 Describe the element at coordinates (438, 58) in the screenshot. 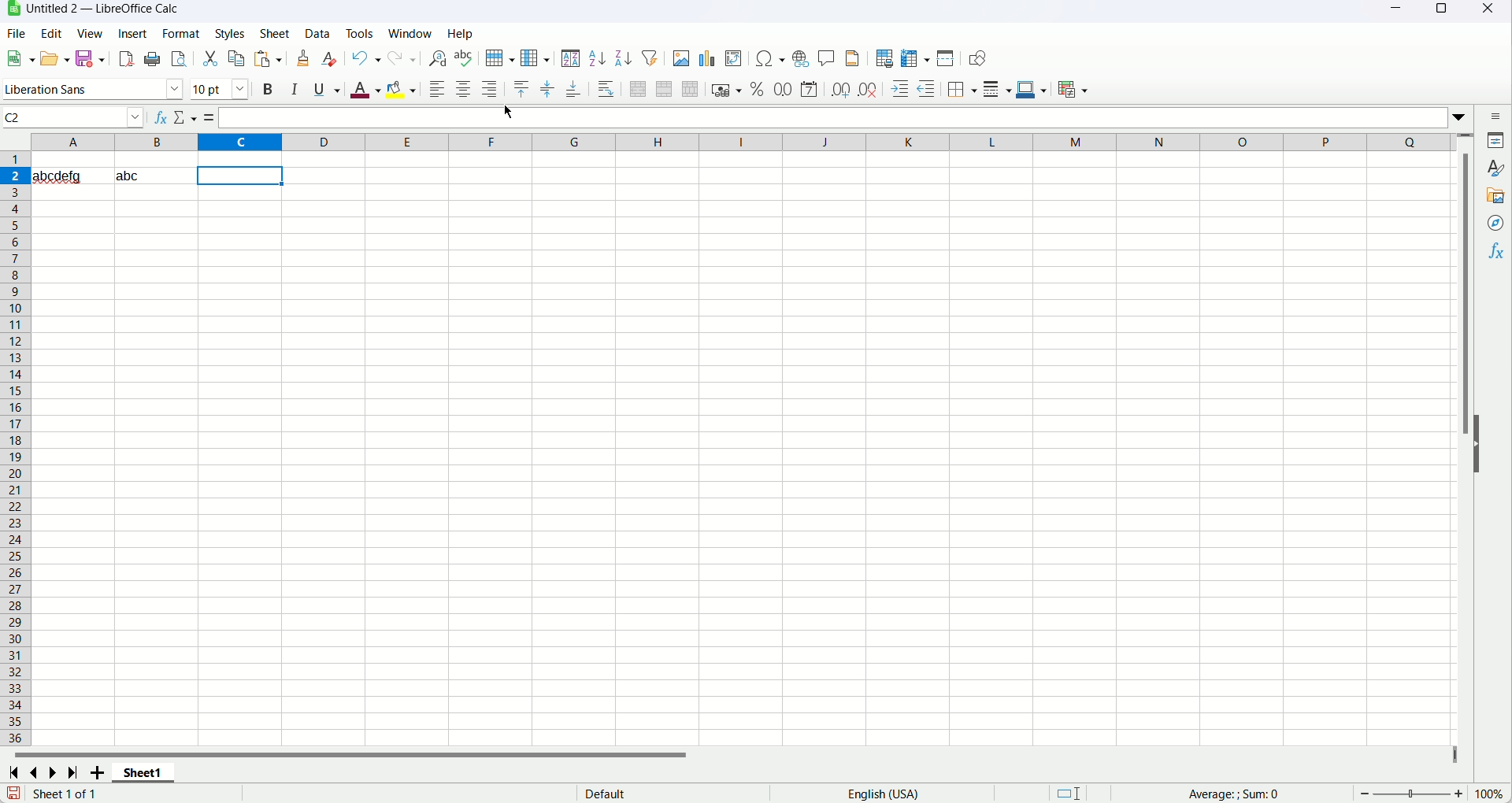

I see `find and replace` at that location.